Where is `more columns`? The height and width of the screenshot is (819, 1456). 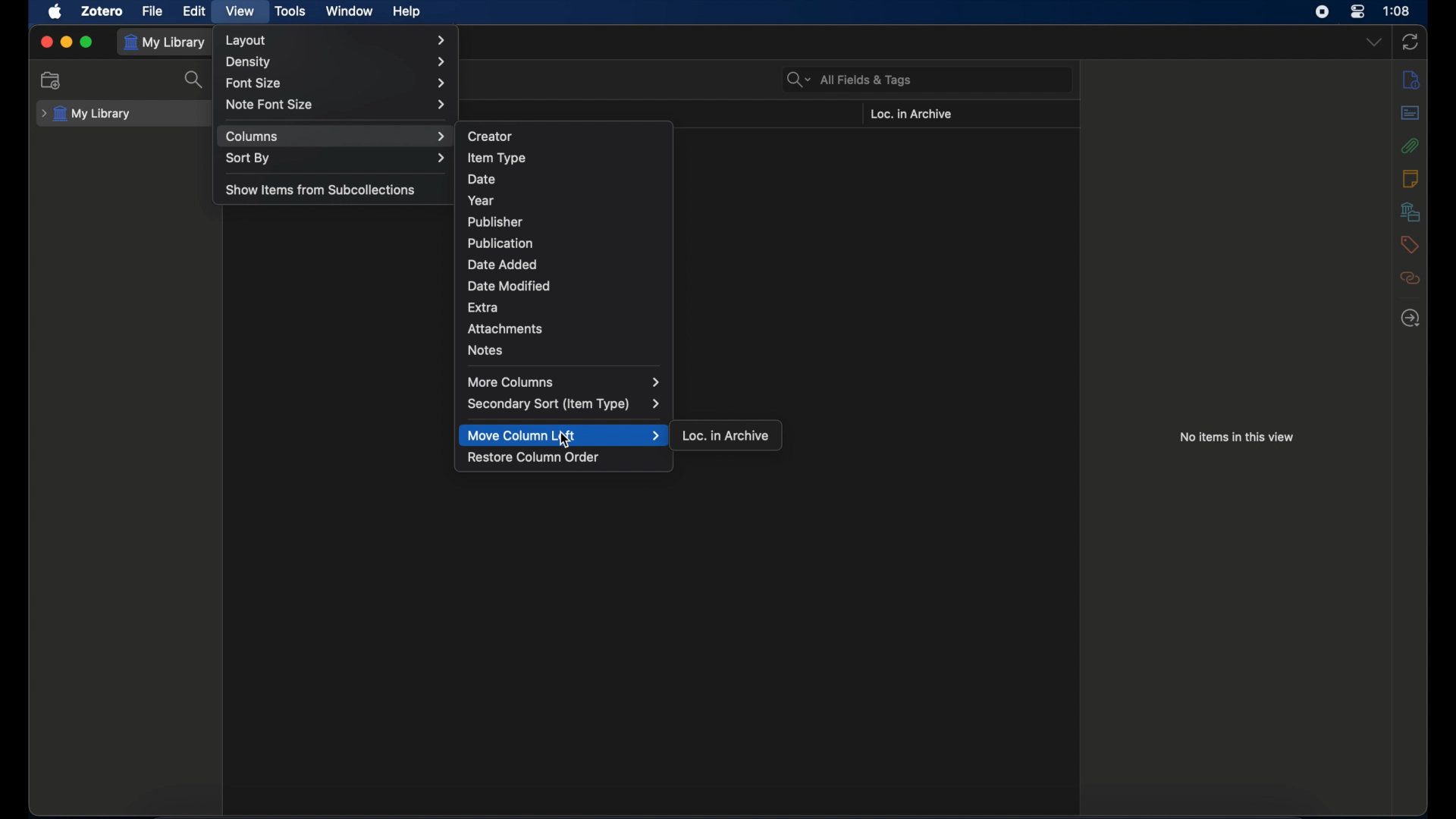 more columns is located at coordinates (565, 382).